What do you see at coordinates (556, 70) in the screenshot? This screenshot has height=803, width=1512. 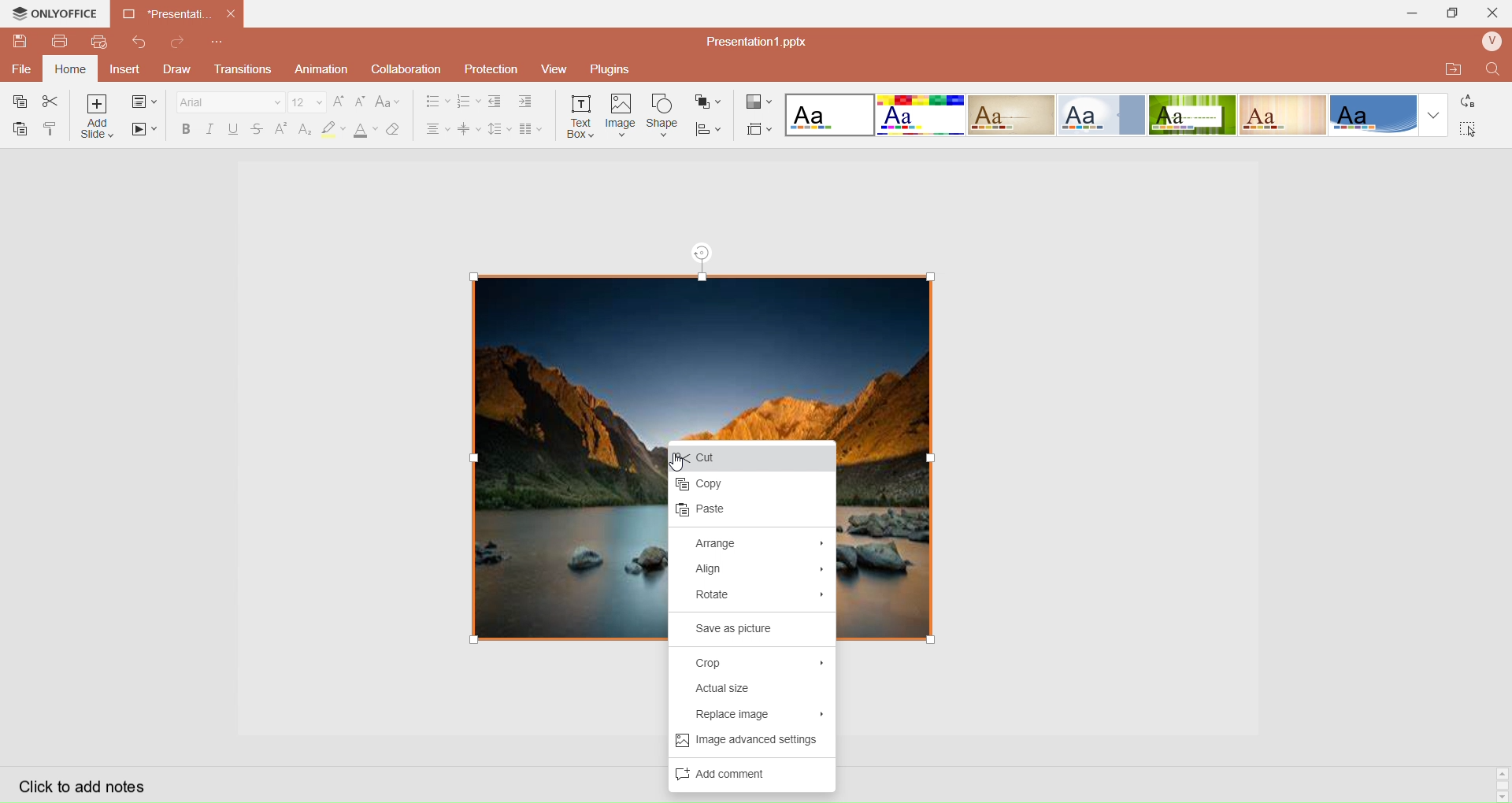 I see `View` at bounding box center [556, 70].